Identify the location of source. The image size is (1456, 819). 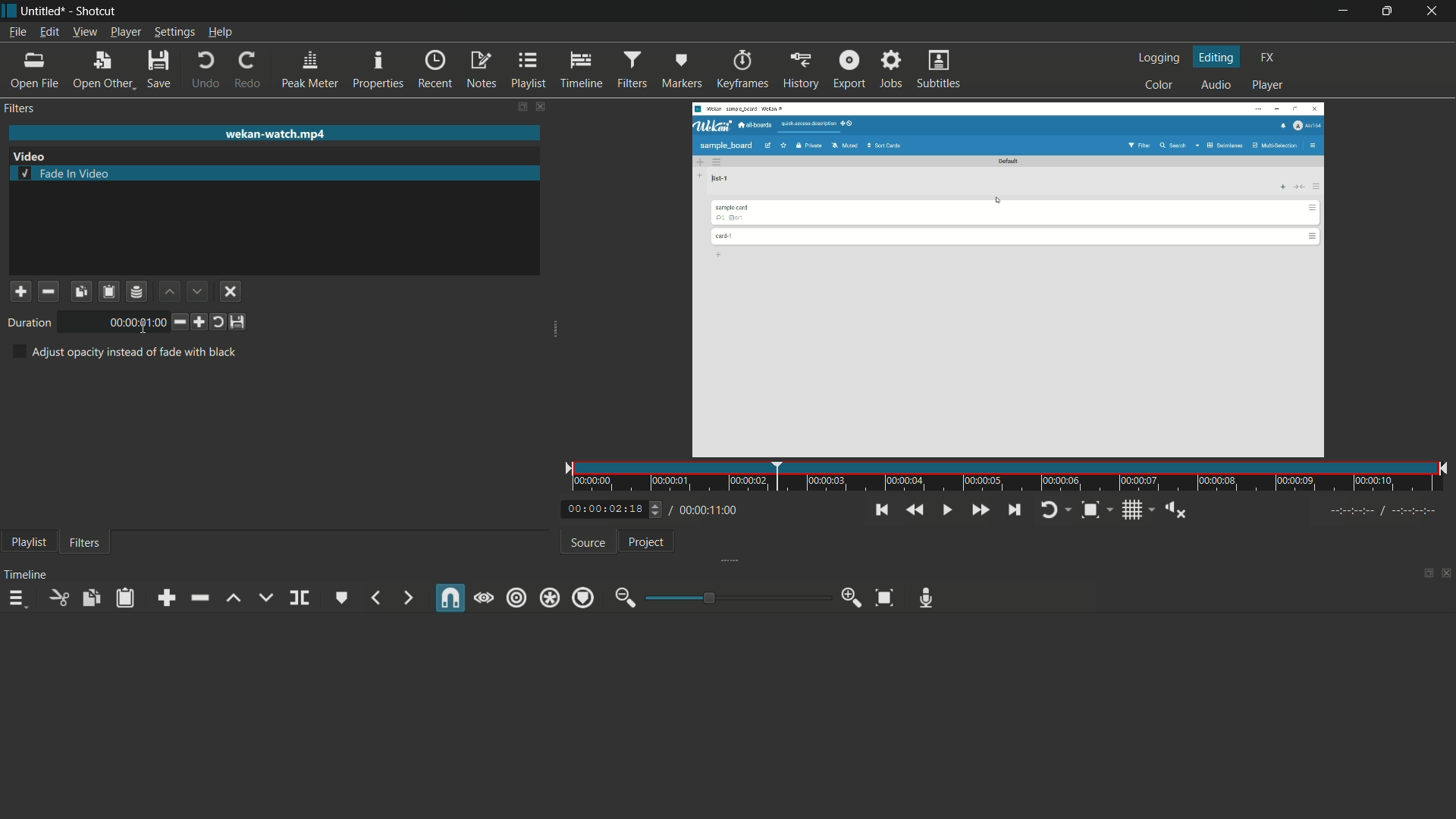
(588, 544).